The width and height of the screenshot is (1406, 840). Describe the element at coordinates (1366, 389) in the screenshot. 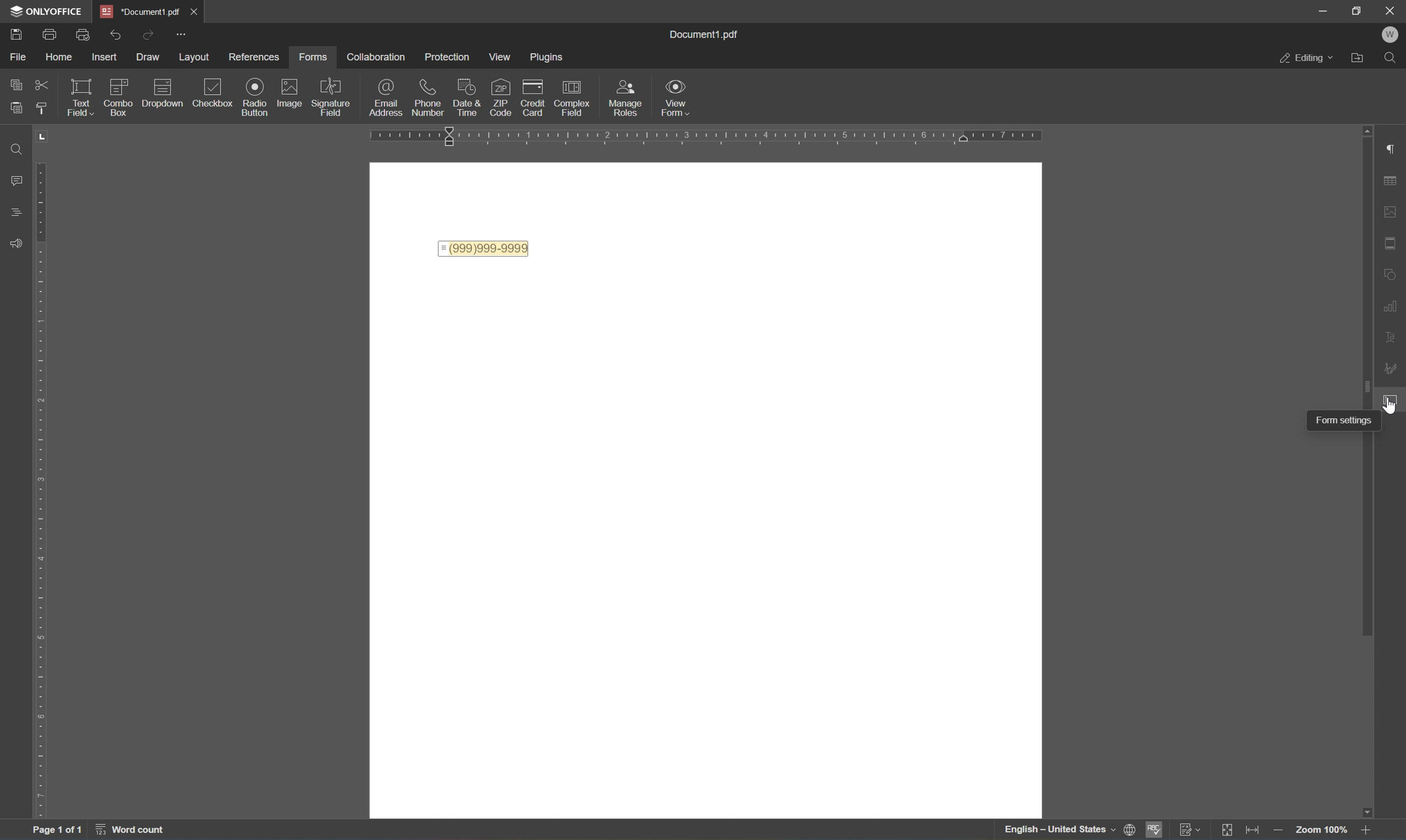

I see `scroll bar` at that location.